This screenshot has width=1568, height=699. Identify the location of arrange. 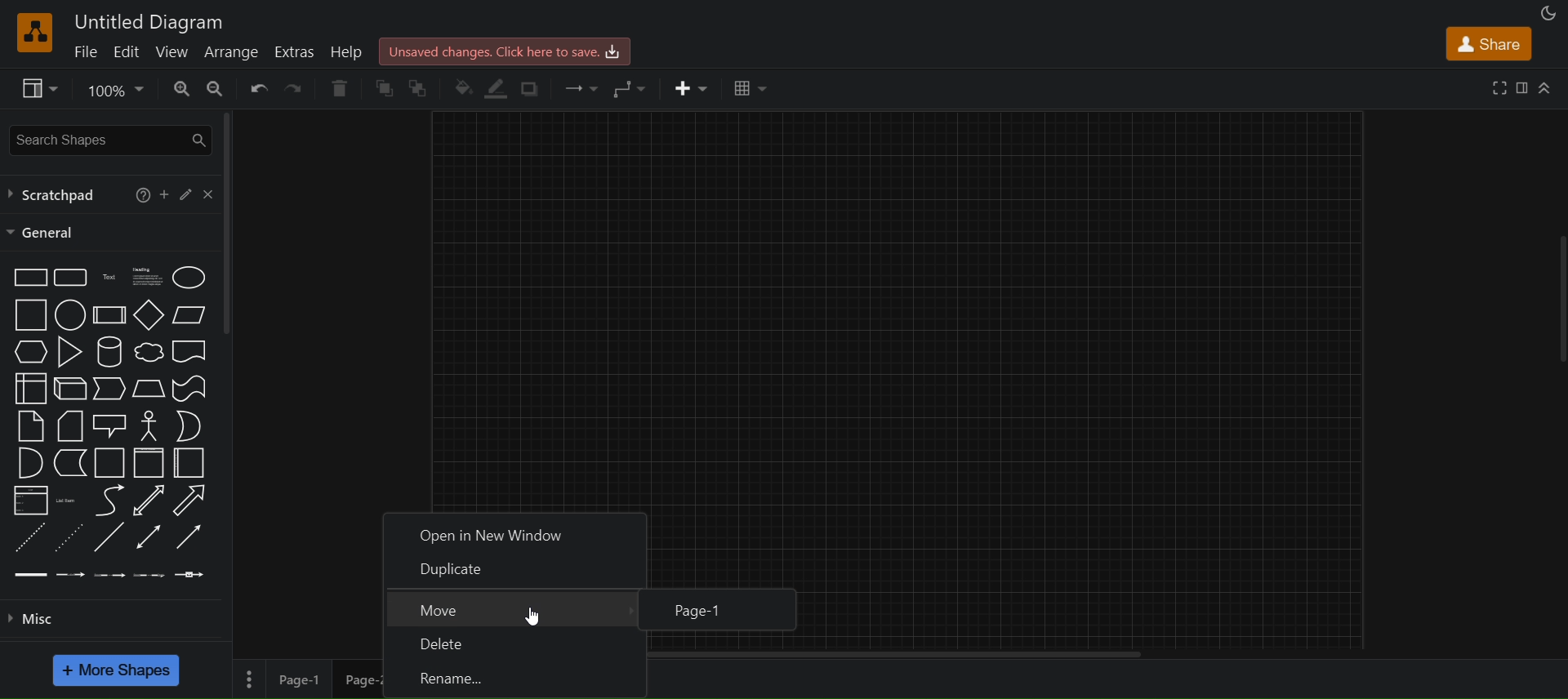
(232, 55).